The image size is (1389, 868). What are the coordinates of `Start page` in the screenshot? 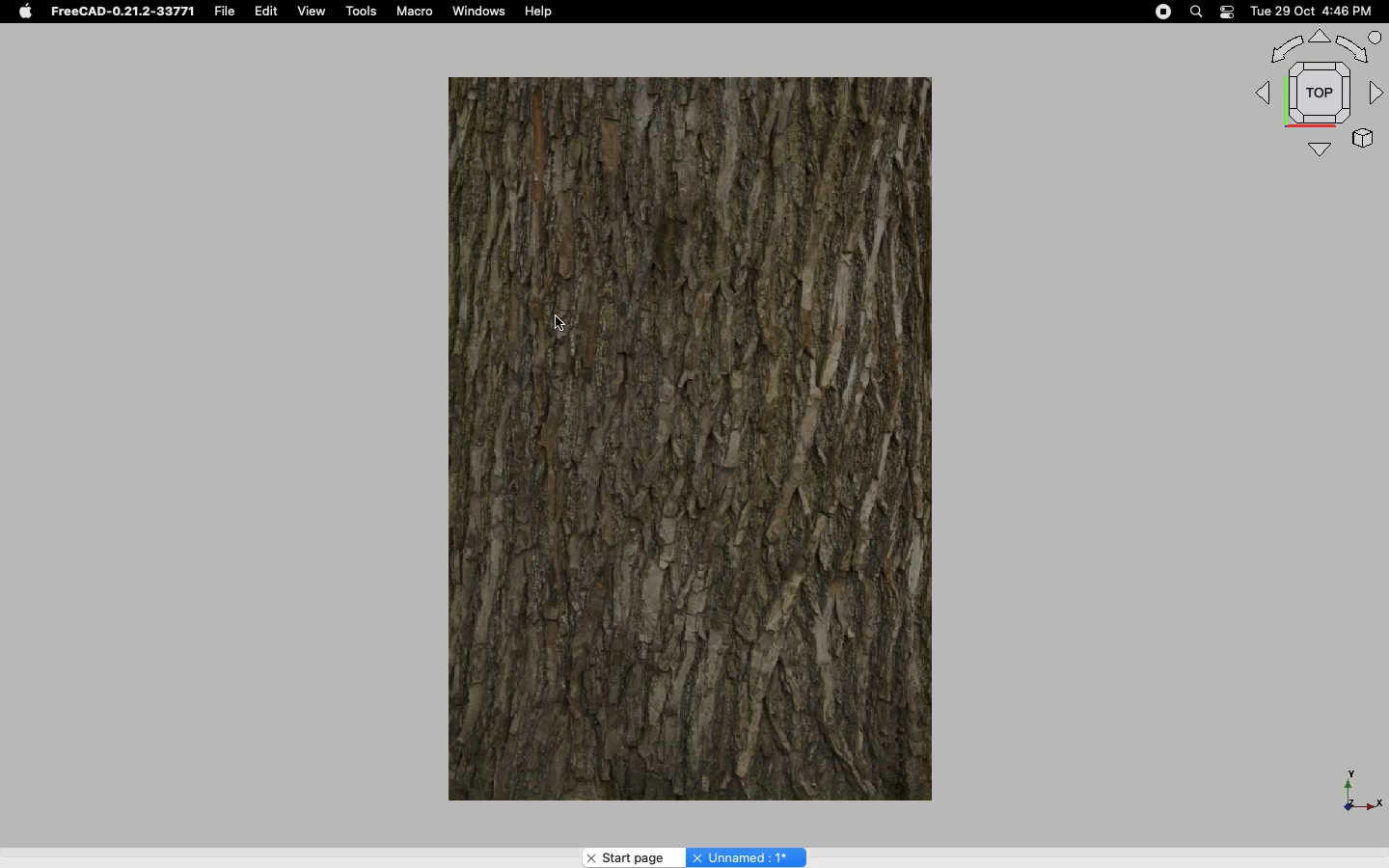 It's located at (633, 857).